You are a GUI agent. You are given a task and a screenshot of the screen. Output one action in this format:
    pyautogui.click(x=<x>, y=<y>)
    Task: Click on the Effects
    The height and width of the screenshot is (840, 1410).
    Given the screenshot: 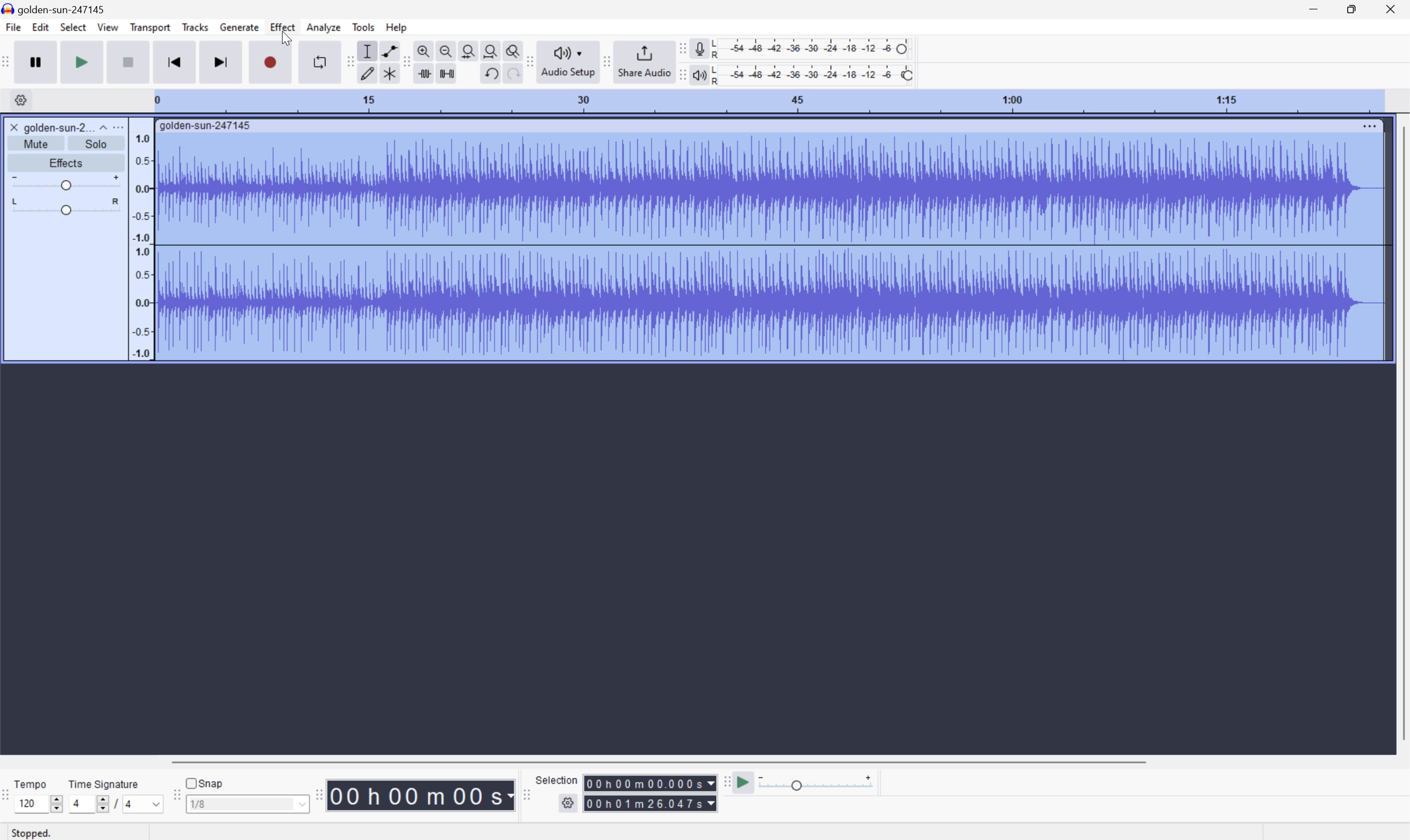 What is the action you would take?
    pyautogui.click(x=67, y=163)
    